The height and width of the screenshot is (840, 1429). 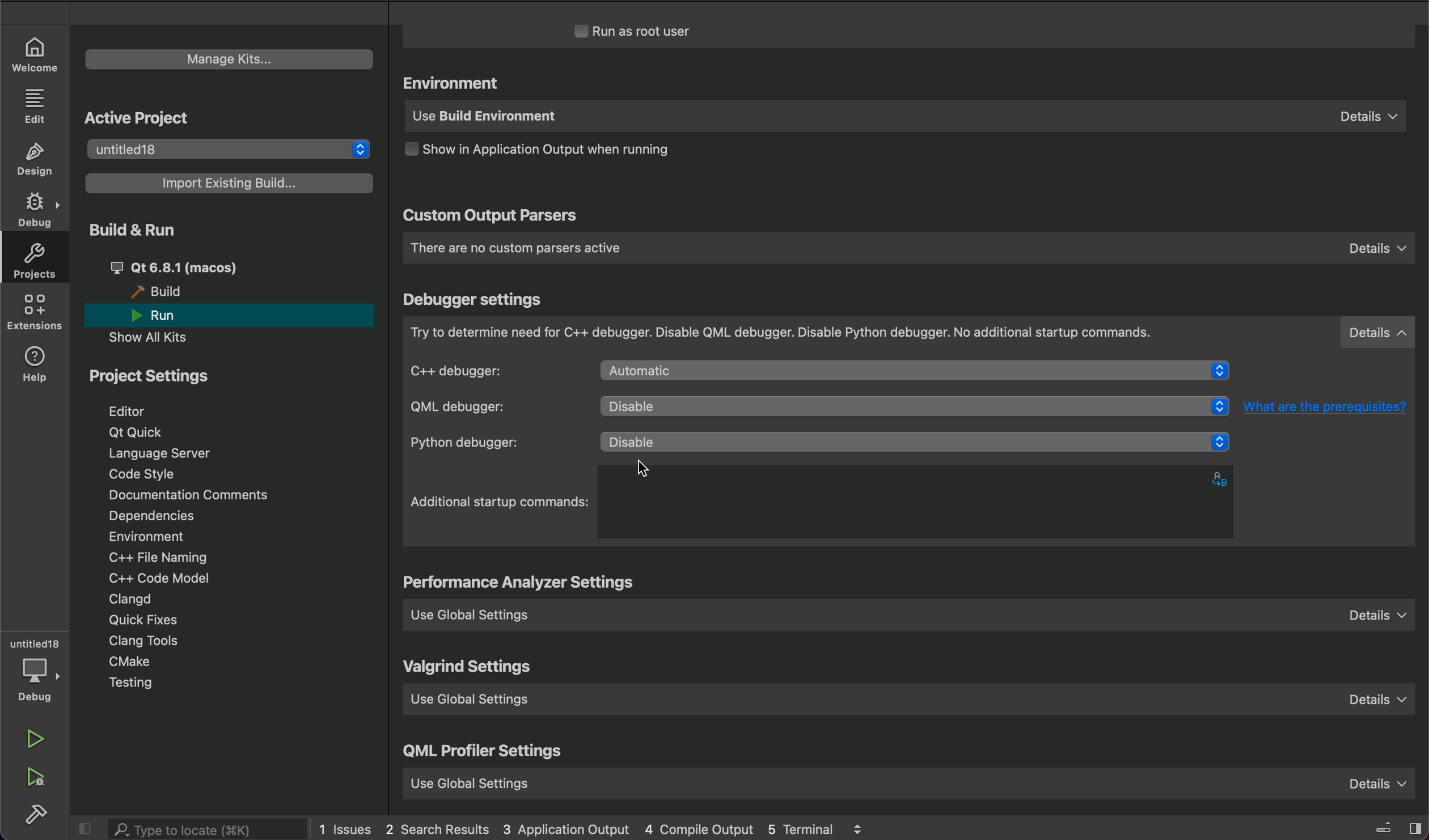 I want to click on active project, so click(x=137, y=118).